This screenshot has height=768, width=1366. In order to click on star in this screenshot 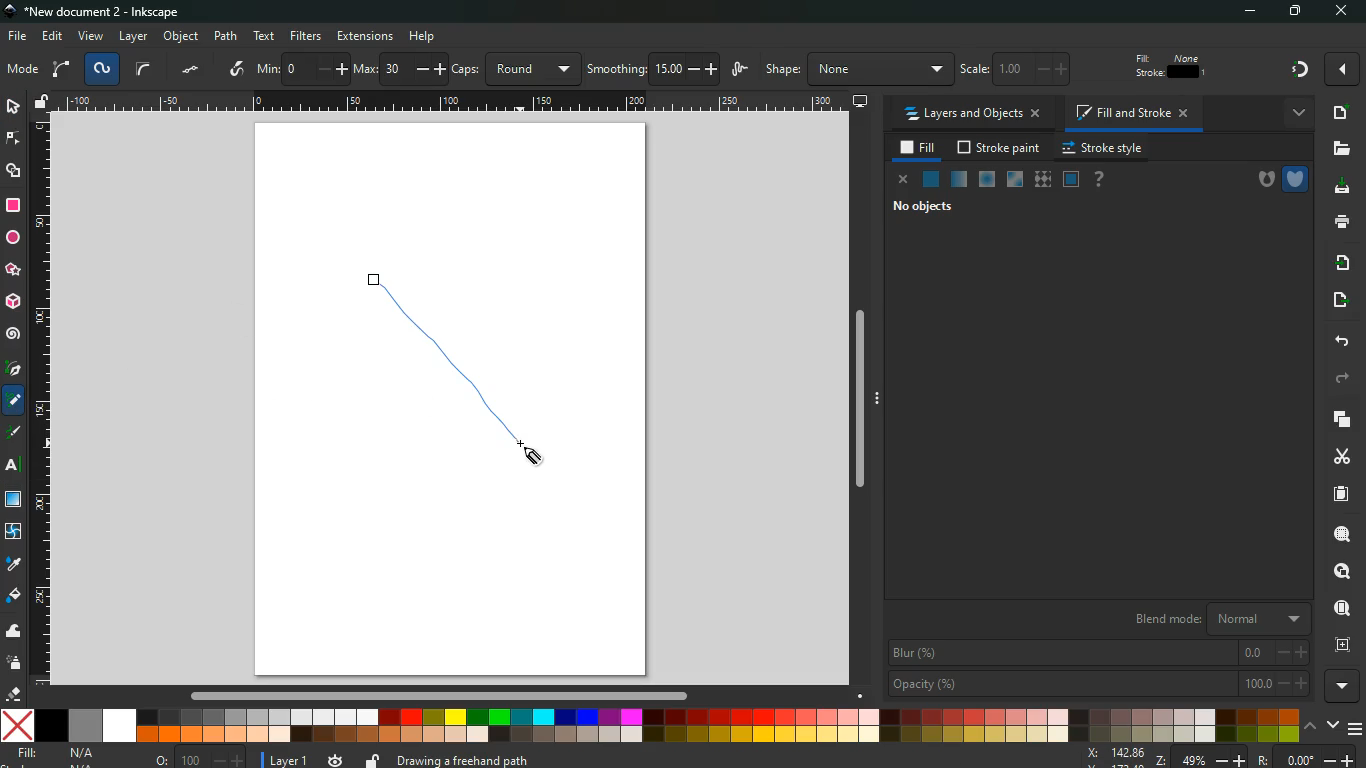, I will do `click(13, 270)`.